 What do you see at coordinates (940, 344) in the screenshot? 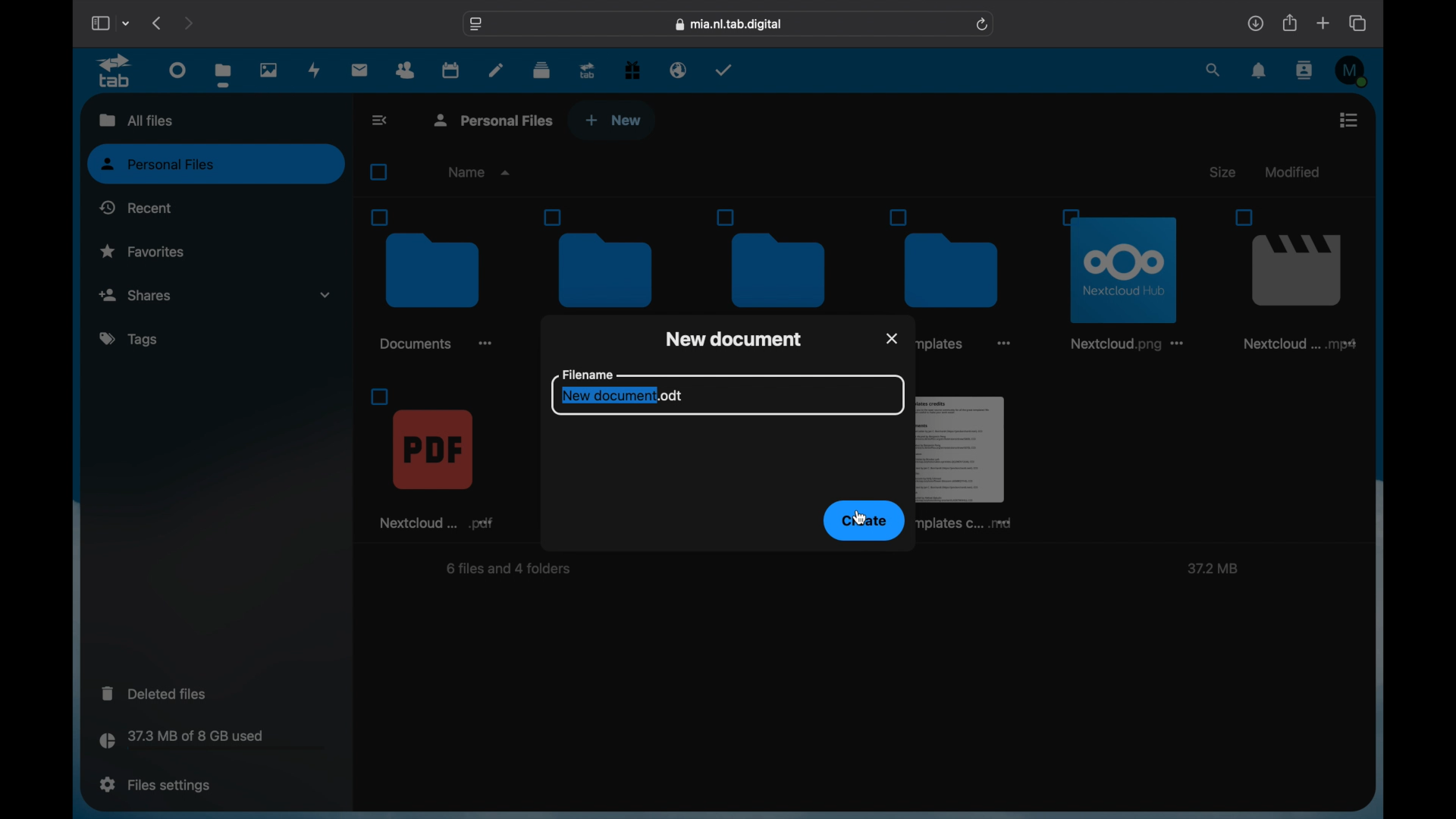
I see `templates` at bounding box center [940, 344].